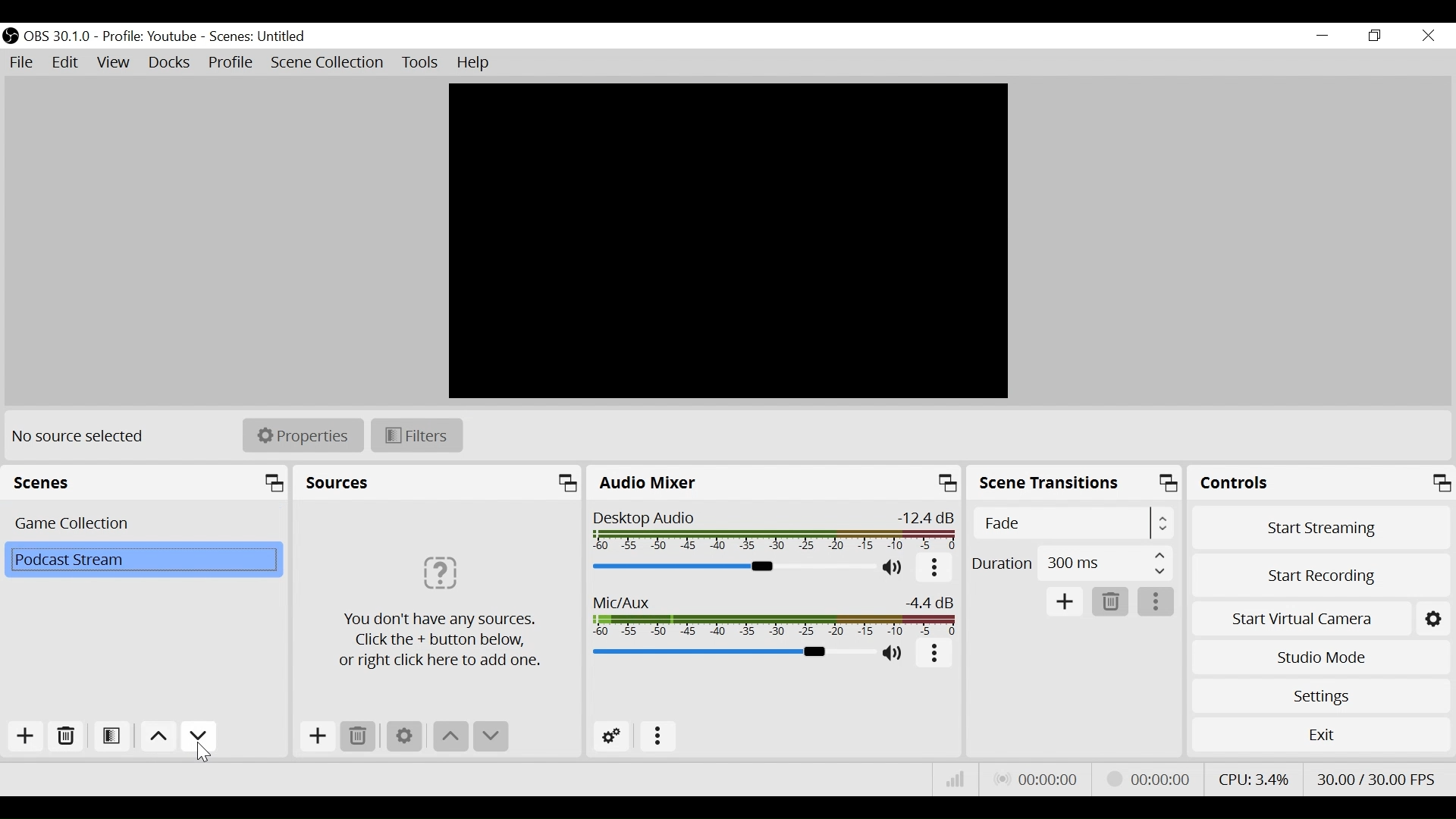 Image resolution: width=1456 pixels, height=819 pixels. I want to click on OBS Desktop Icon, so click(10, 36).